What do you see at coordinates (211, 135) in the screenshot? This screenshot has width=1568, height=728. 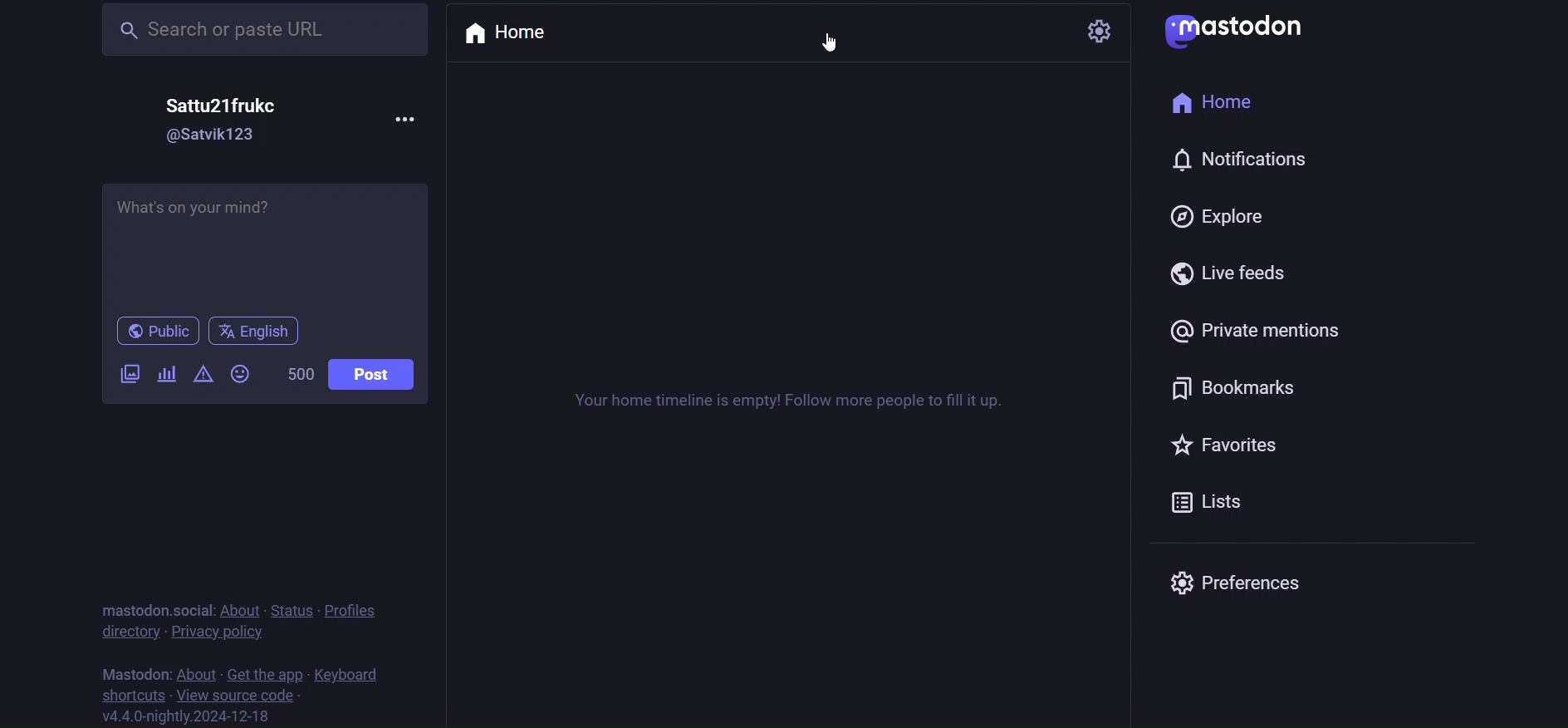 I see `id` at bounding box center [211, 135].